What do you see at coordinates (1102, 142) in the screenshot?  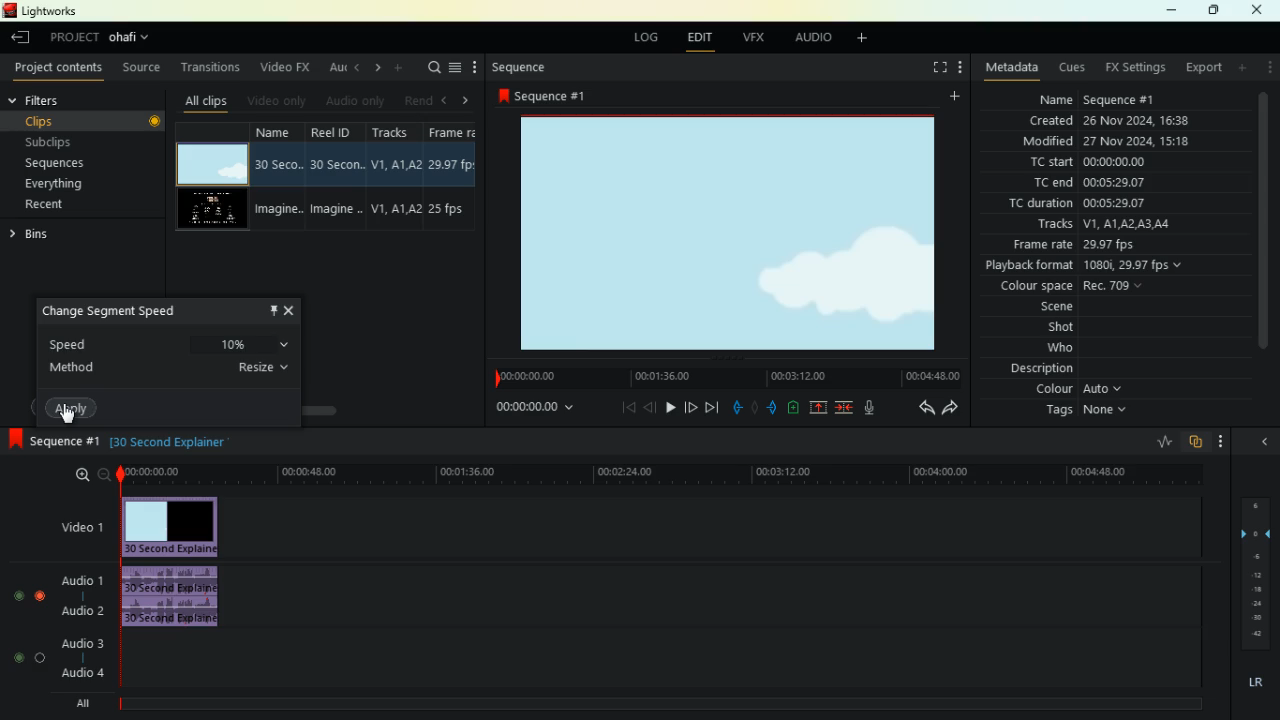 I see `modified` at bounding box center [1102, 142].